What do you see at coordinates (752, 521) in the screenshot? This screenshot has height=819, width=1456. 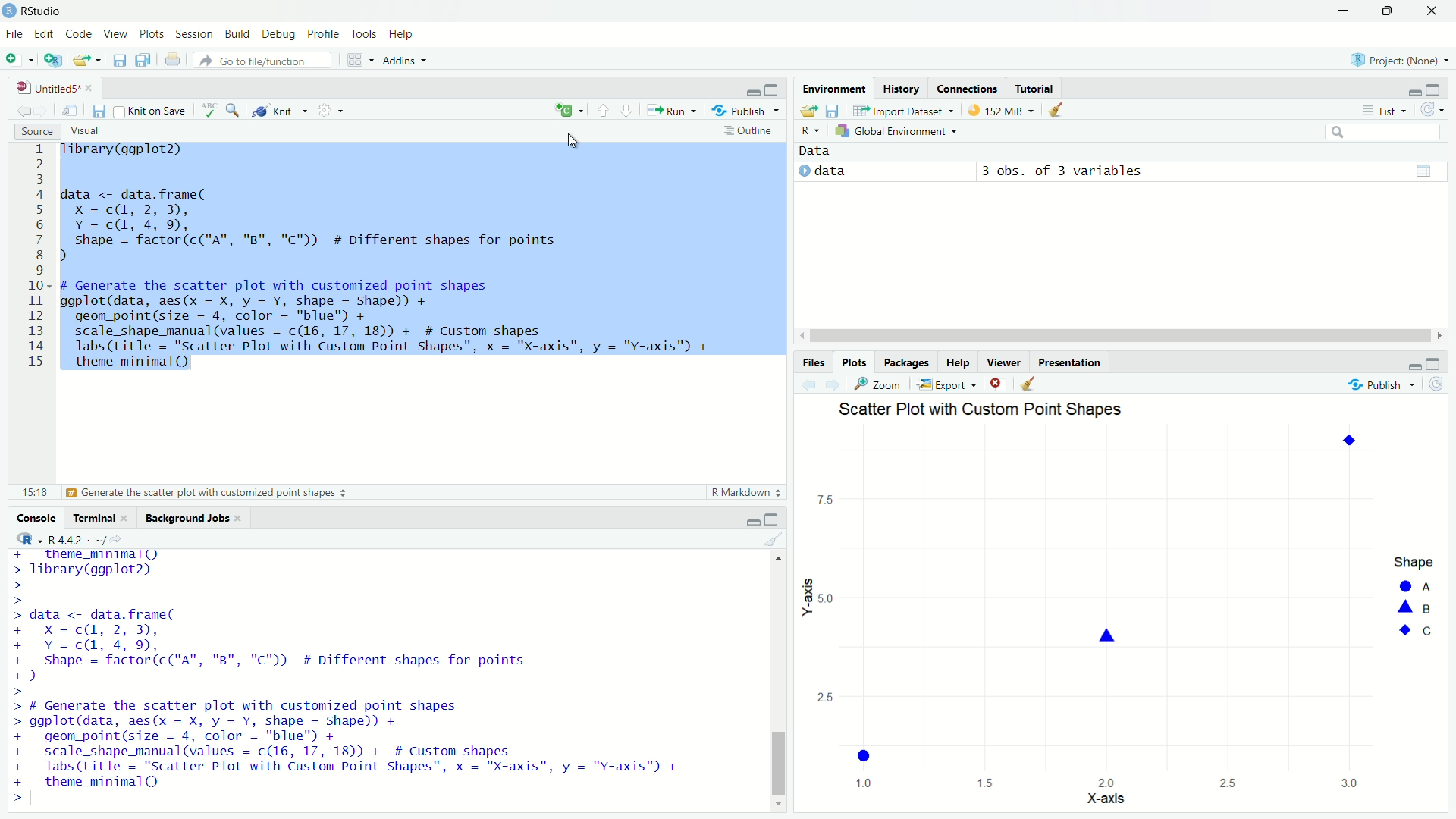 I see `minimize` at bounding box center [752, 521].